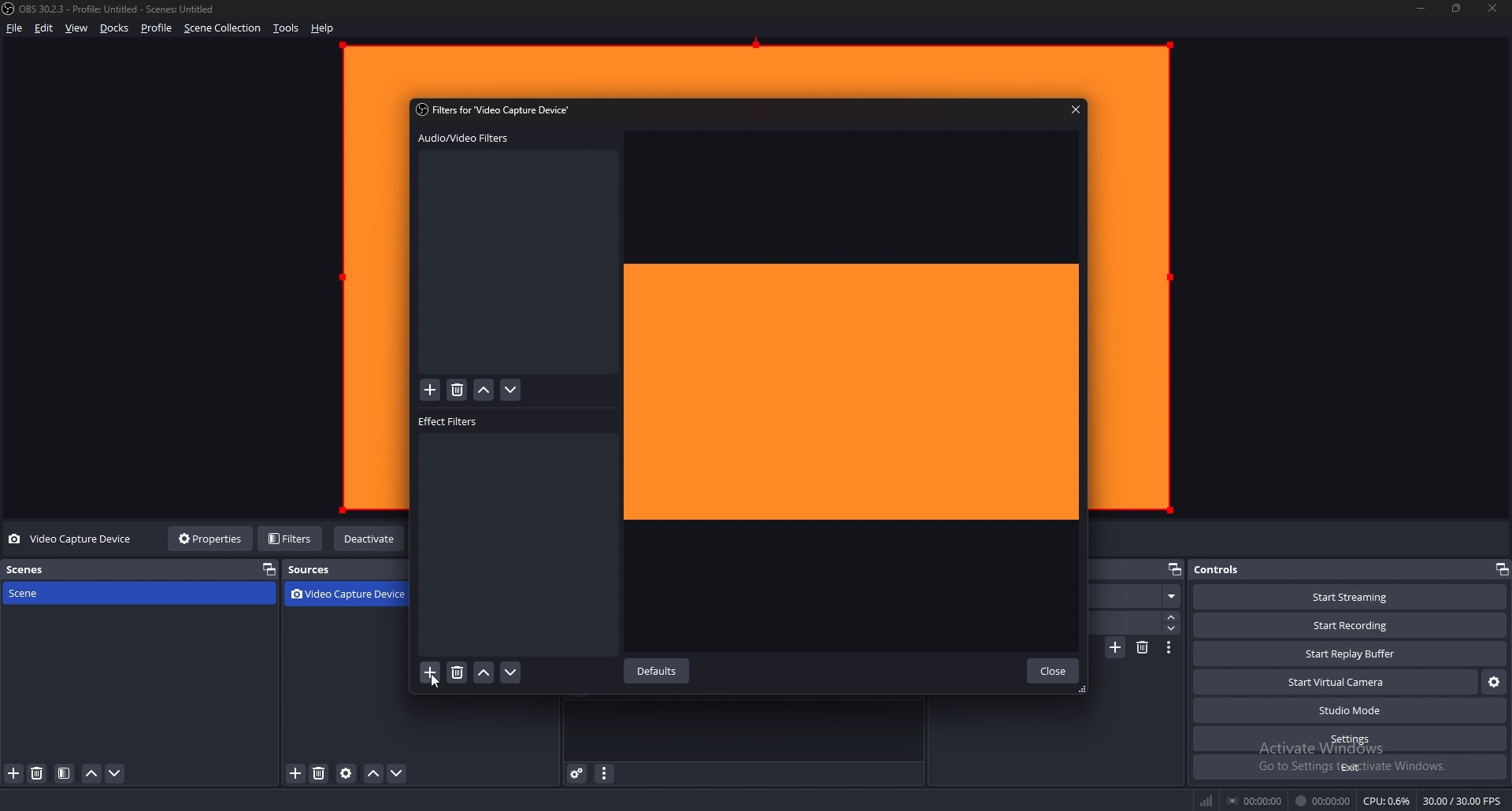 This screenshot has width=1512, height=811. Describe the element at coordinates (287, 28) in the screenshot. I see `tools` at that location.